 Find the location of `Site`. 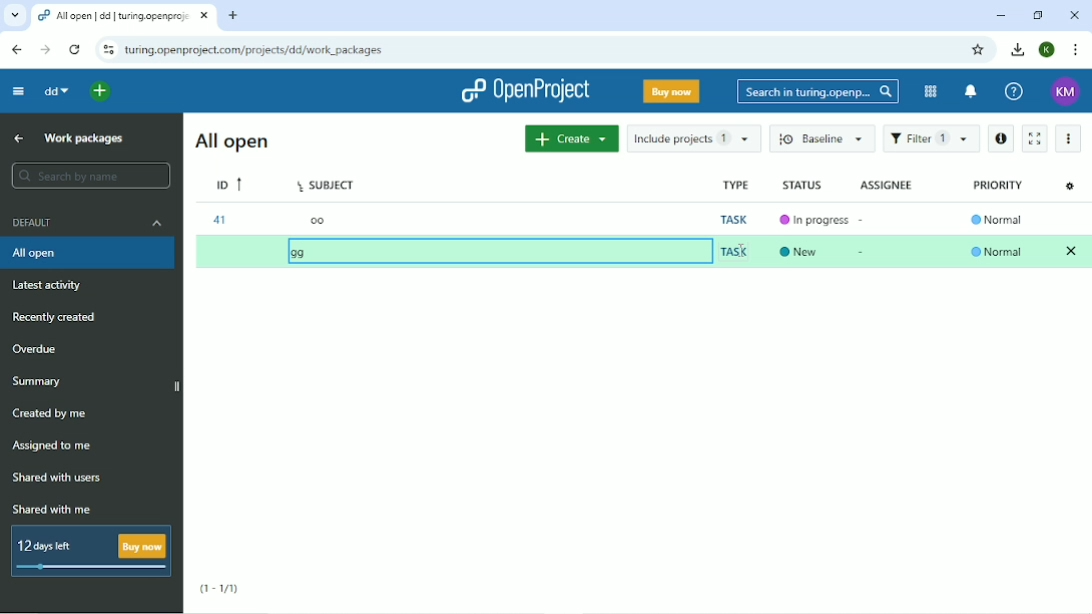

Site is located at coordinates (255, 51).